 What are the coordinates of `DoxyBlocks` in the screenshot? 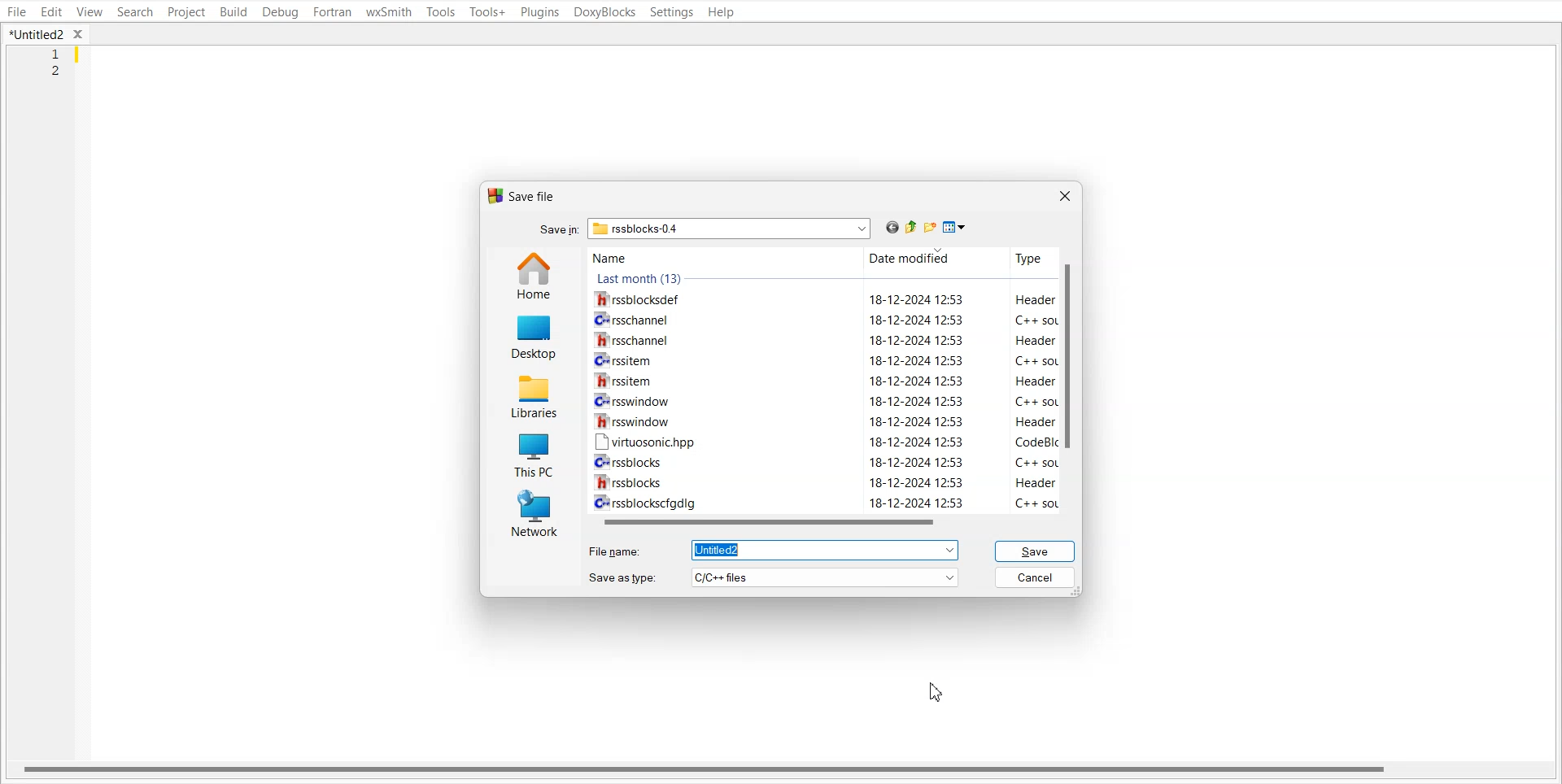 It's located at (604, 11).